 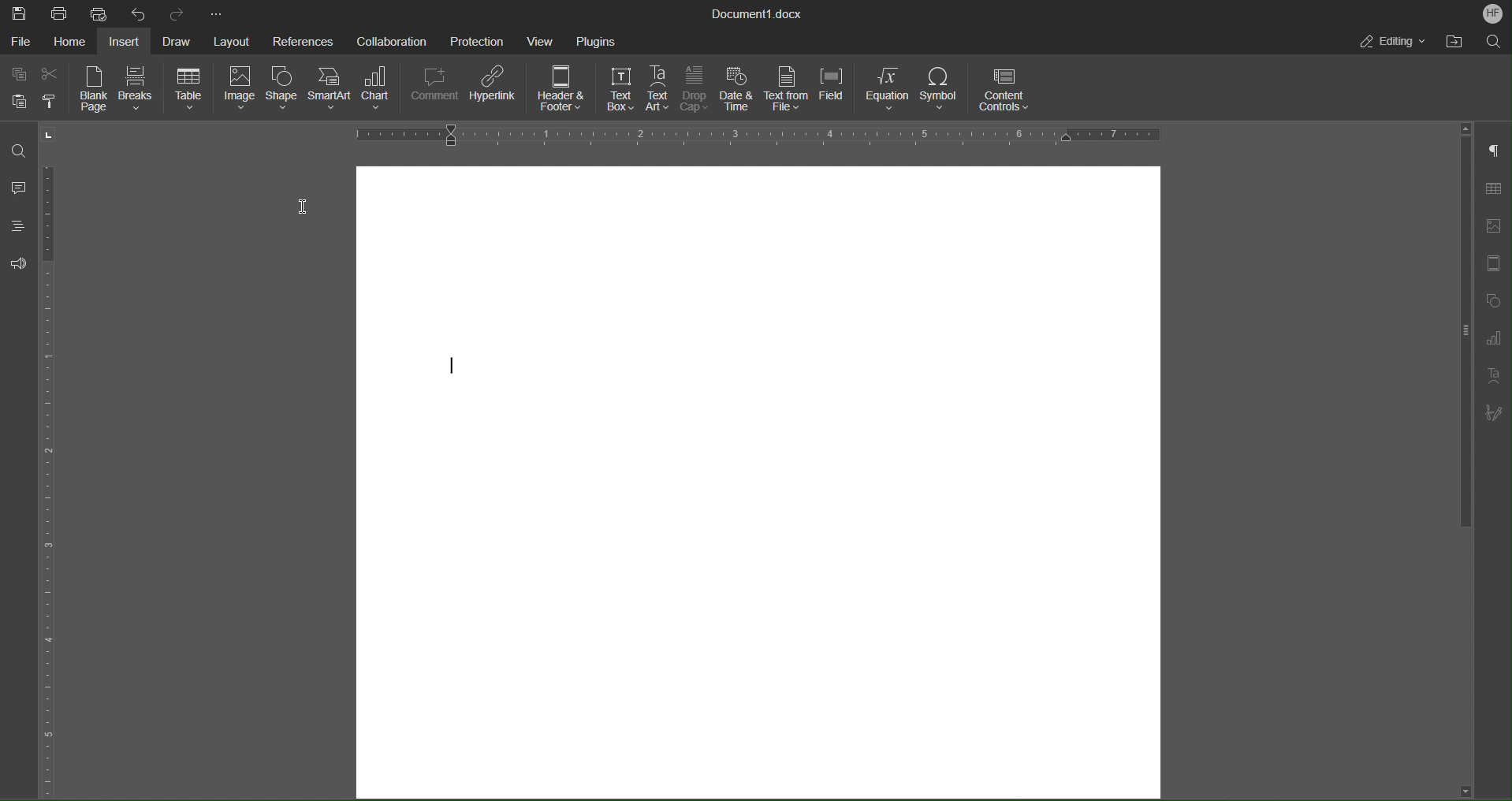 I want to click on Search, so click(x=1497, y=43).